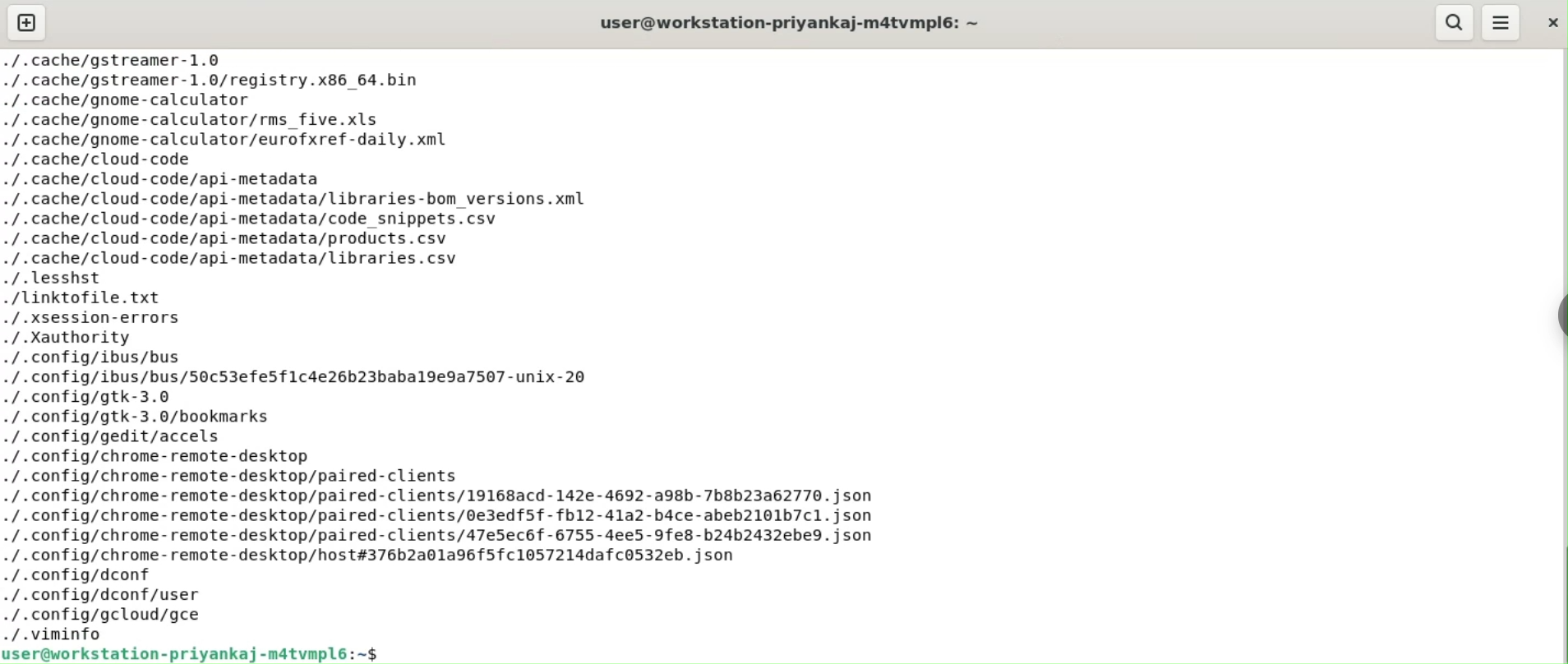  What do you see at coordinates (791, 26) in the screenshot?
I see `user@workstation-priyankaj-m4tvmplé: ~` at bounding box center [791, 26].